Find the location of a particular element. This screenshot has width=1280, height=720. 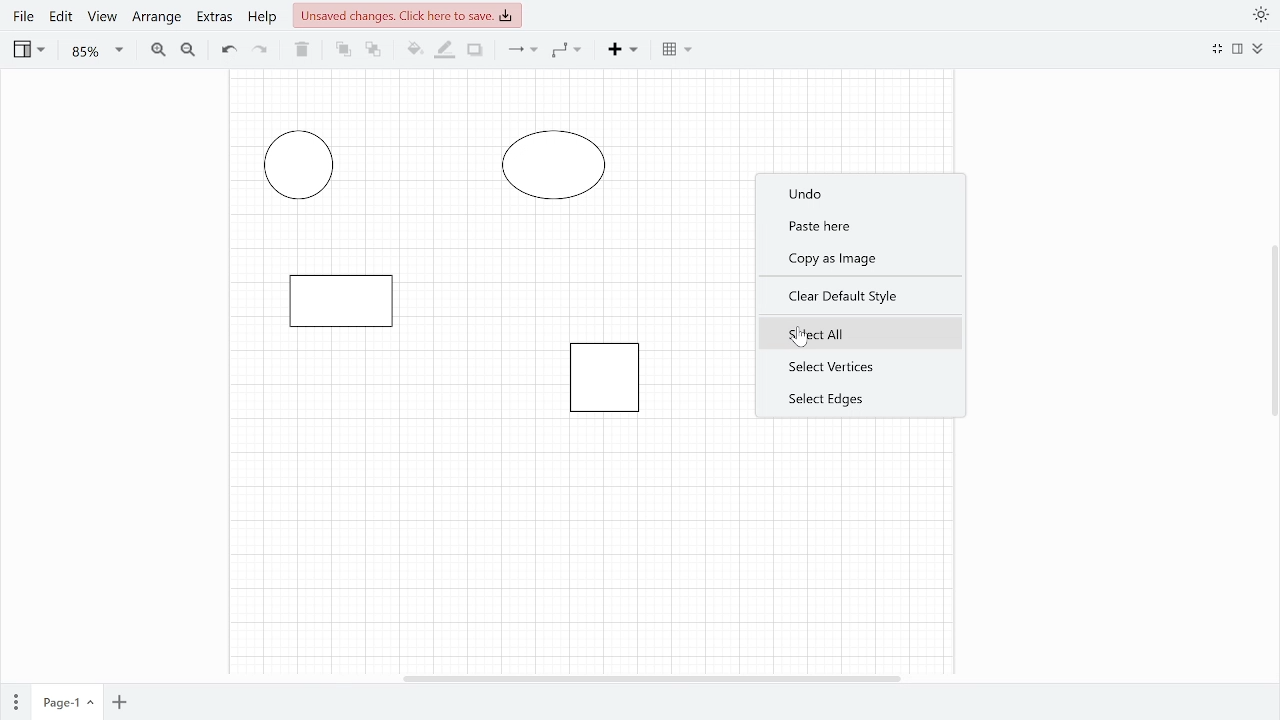

Fill line is located at coordinates (445, 49).